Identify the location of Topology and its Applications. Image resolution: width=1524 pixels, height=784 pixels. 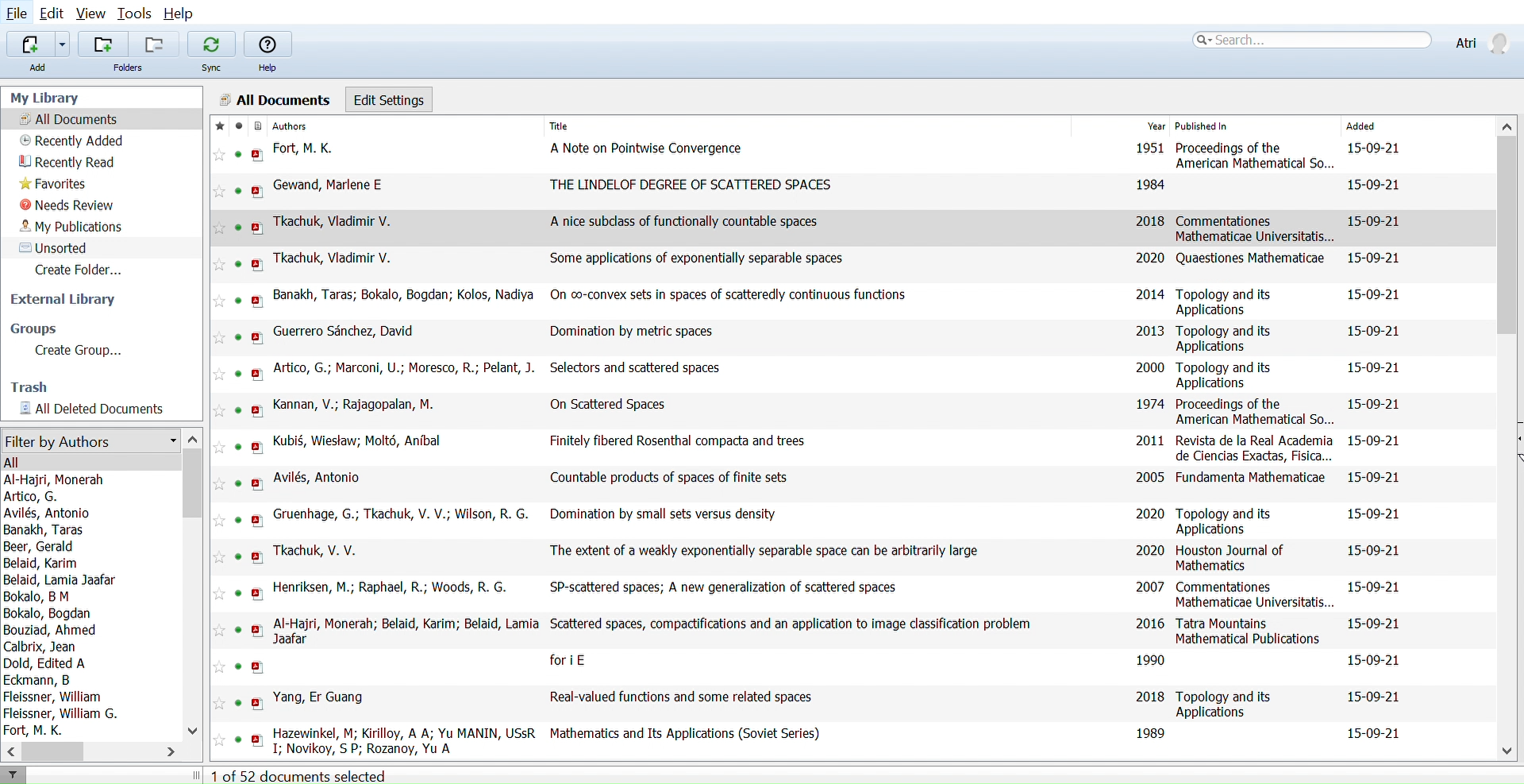
(1227, 338).